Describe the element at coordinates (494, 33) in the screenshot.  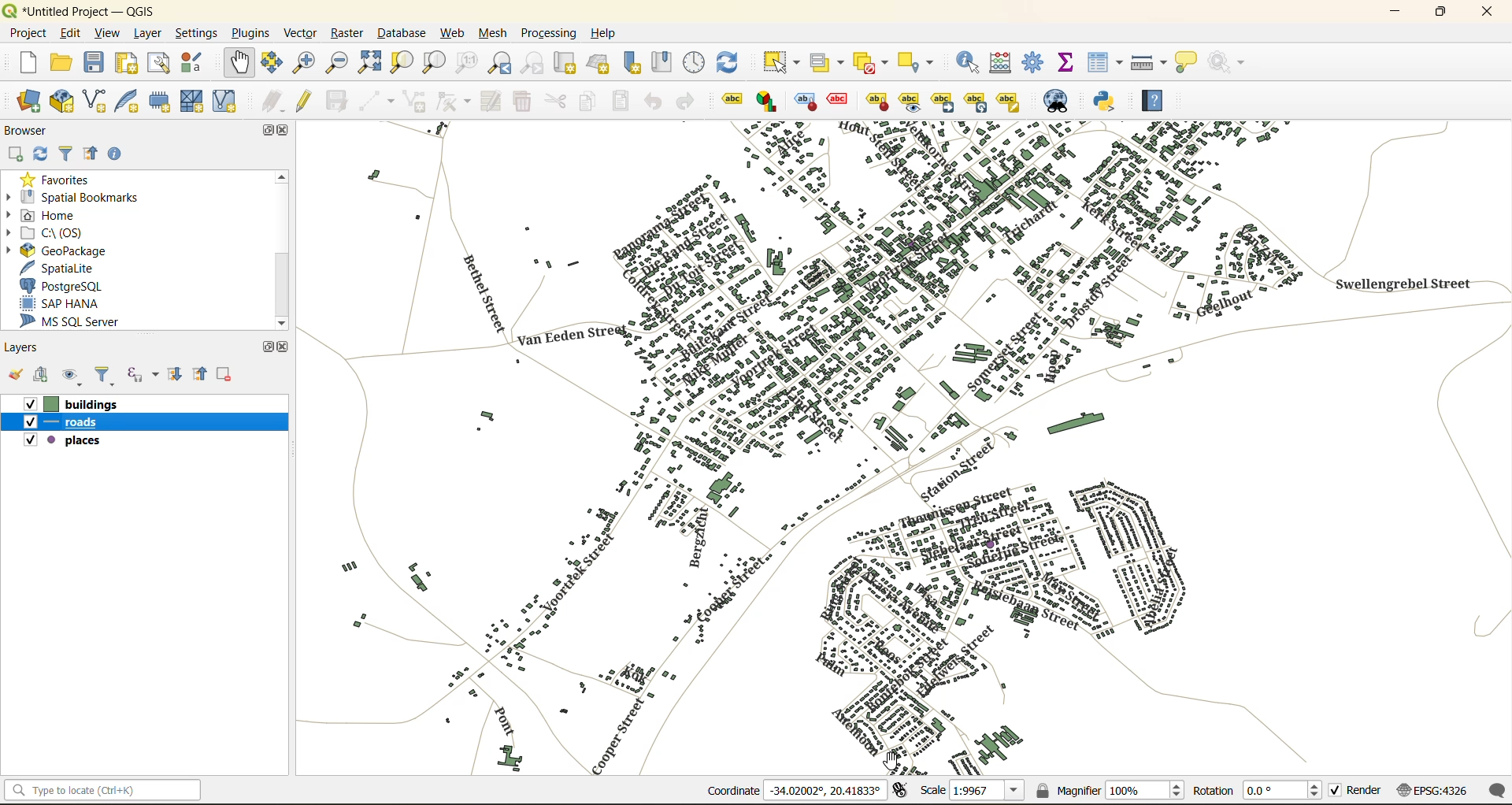
I see `mesh` at that location.